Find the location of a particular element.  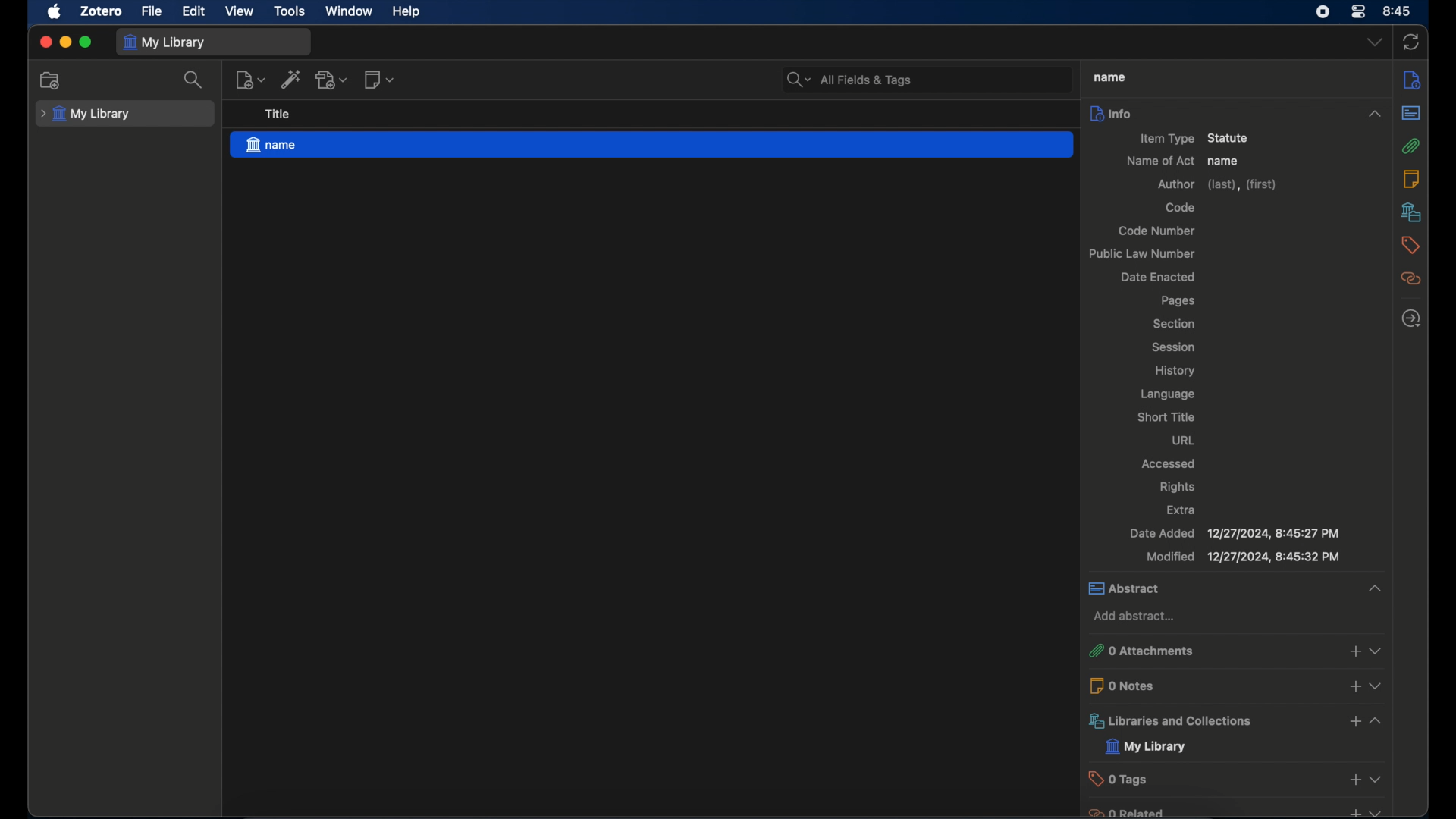

my library is located at coordinates (1146, 747).